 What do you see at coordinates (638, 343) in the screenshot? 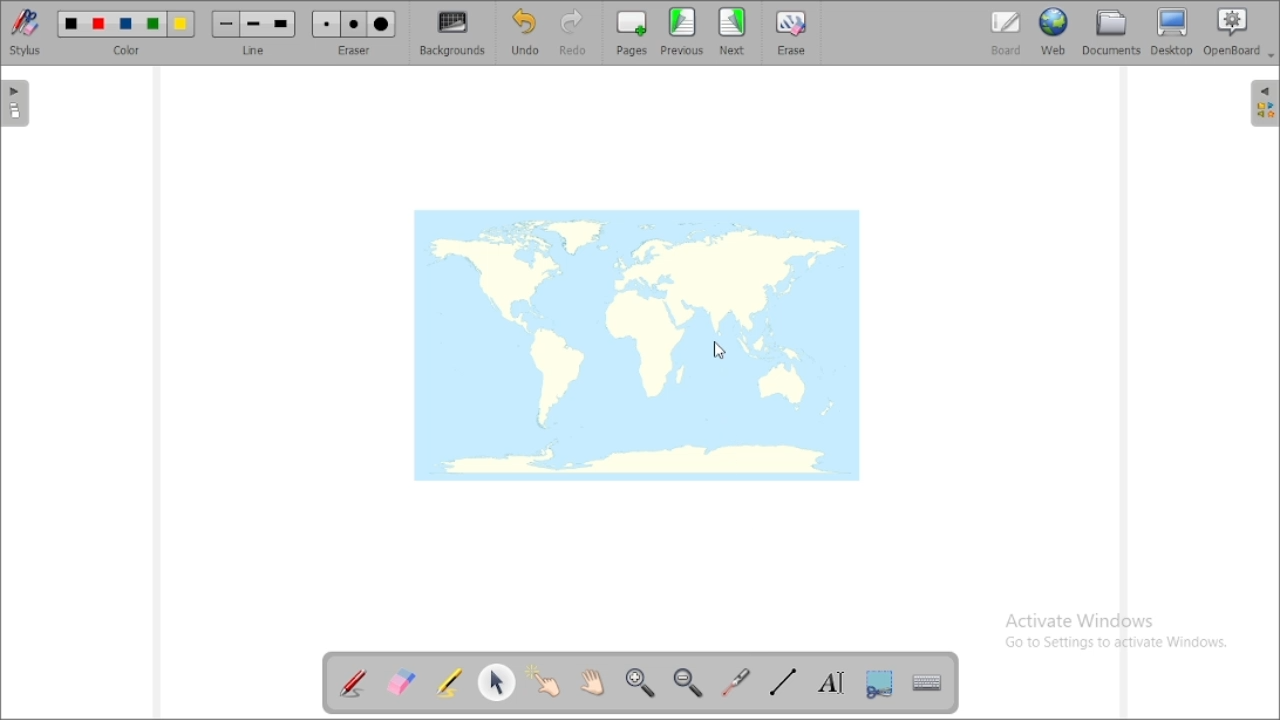
I see `image` at bounding box center [638, 343].